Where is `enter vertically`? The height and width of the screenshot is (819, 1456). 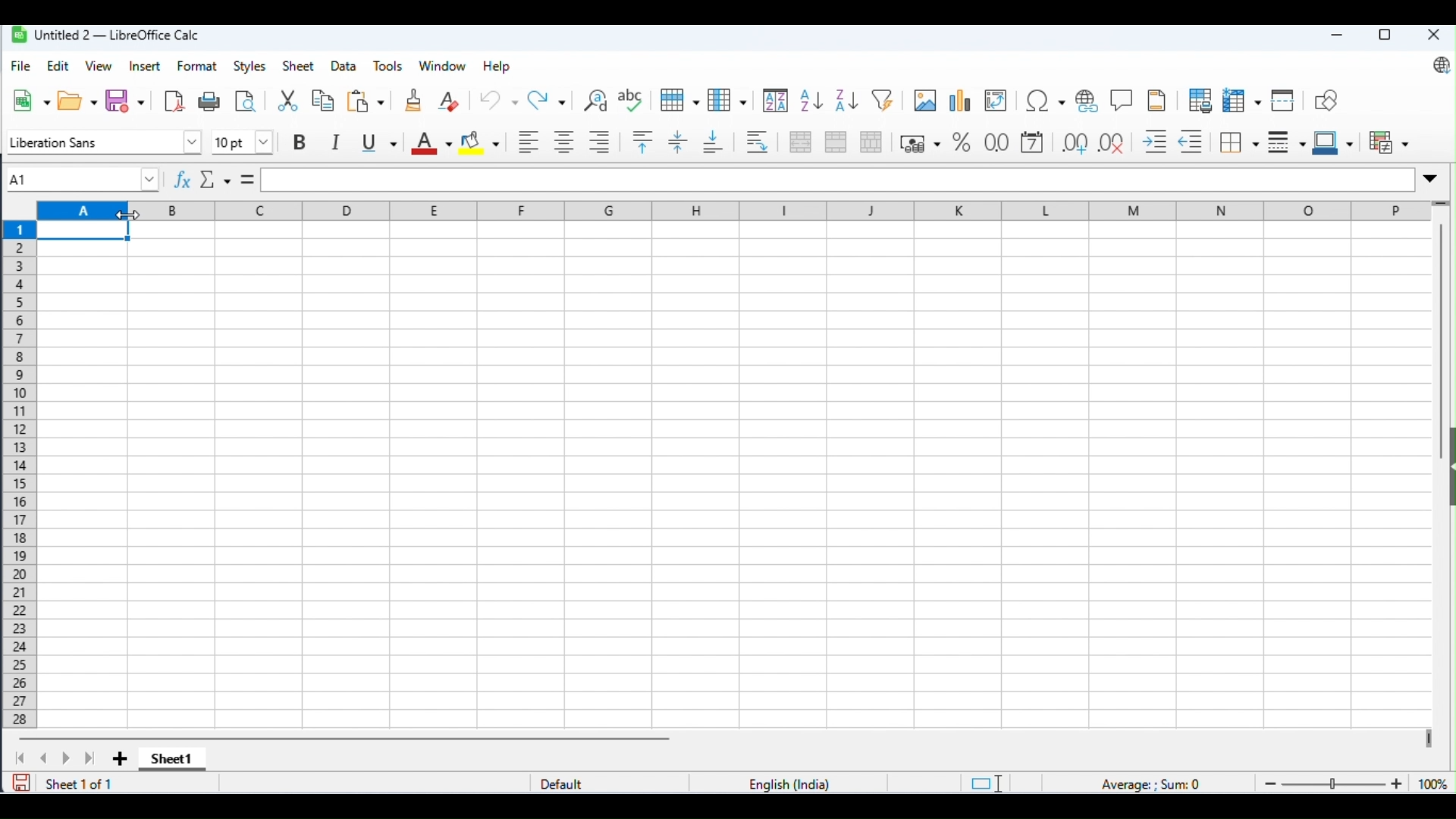 enter vertically is located at coordinates (679, 142).